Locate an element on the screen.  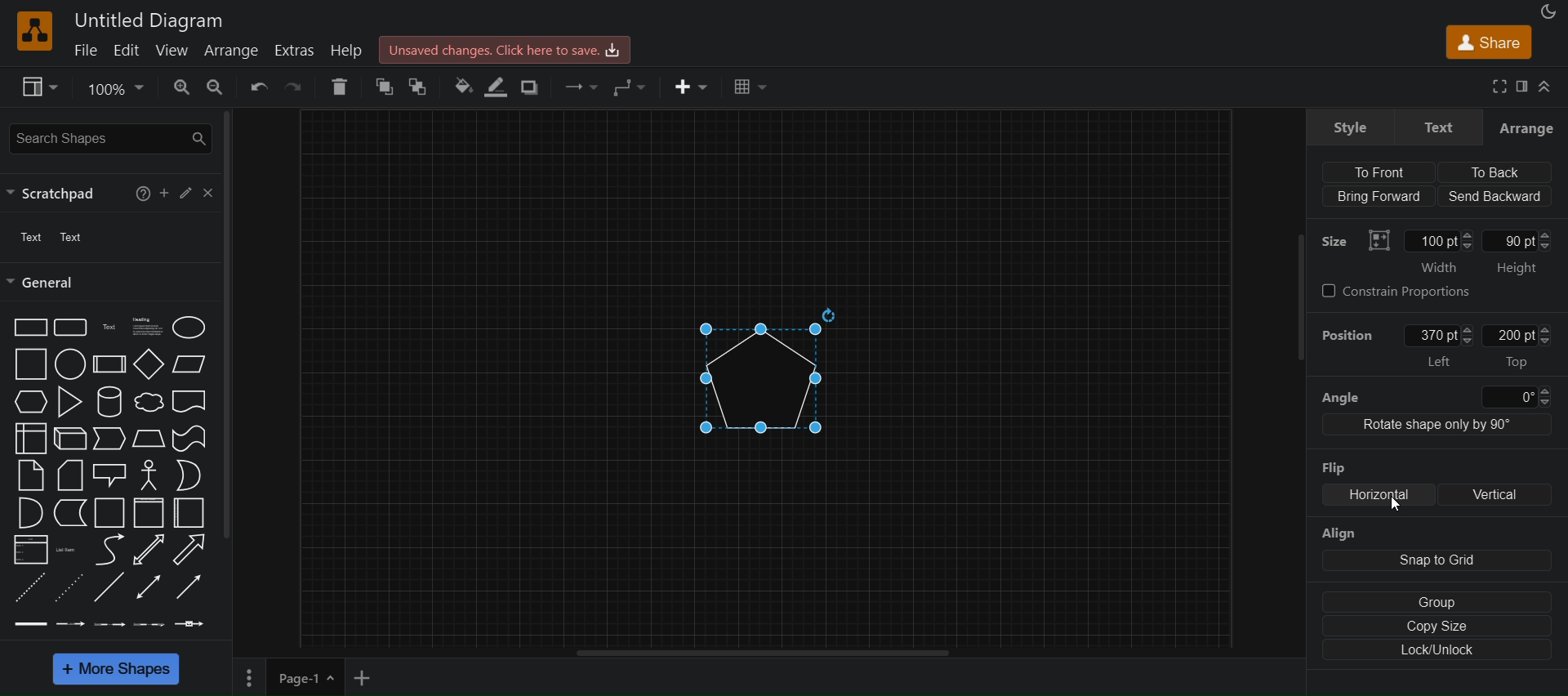
snap to grid is located at coordinates (1437, 560).